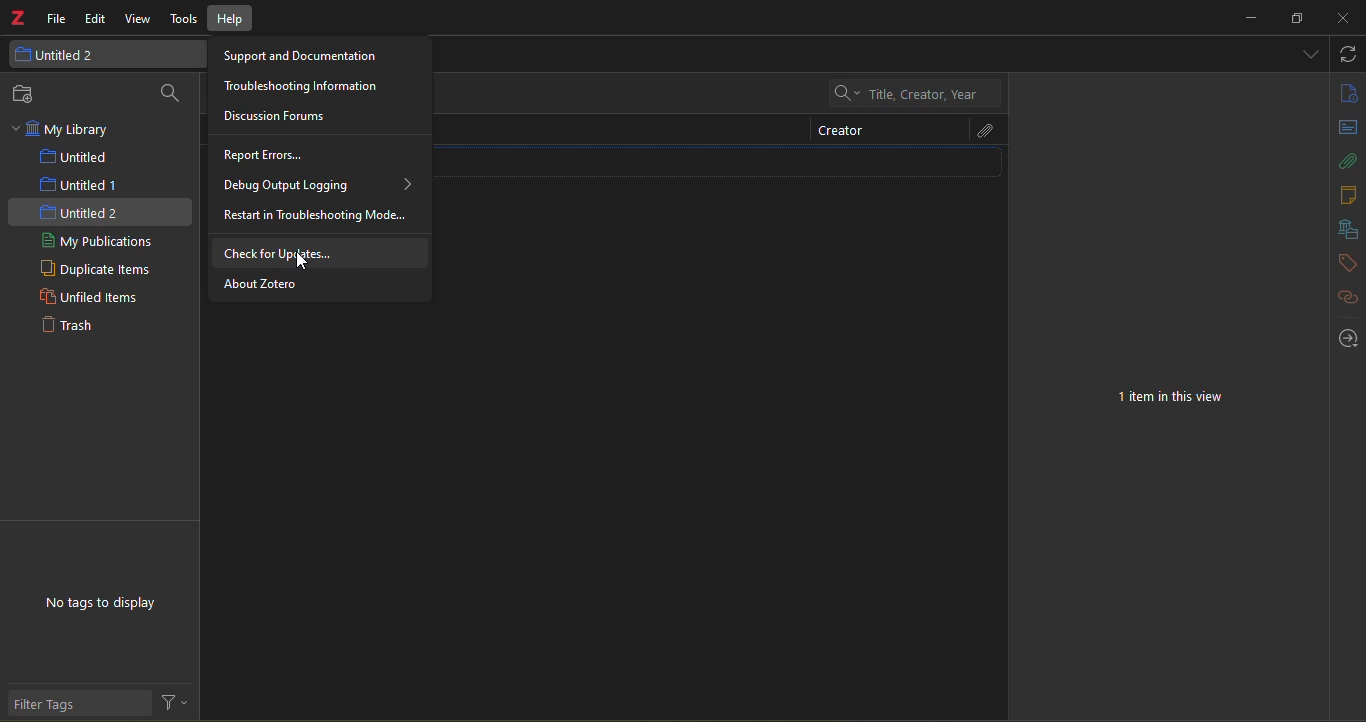 The image size is (1366, 722). Describe the element at coordinates (80, 213) in the screenshot. I see `untitled 2` at that location.